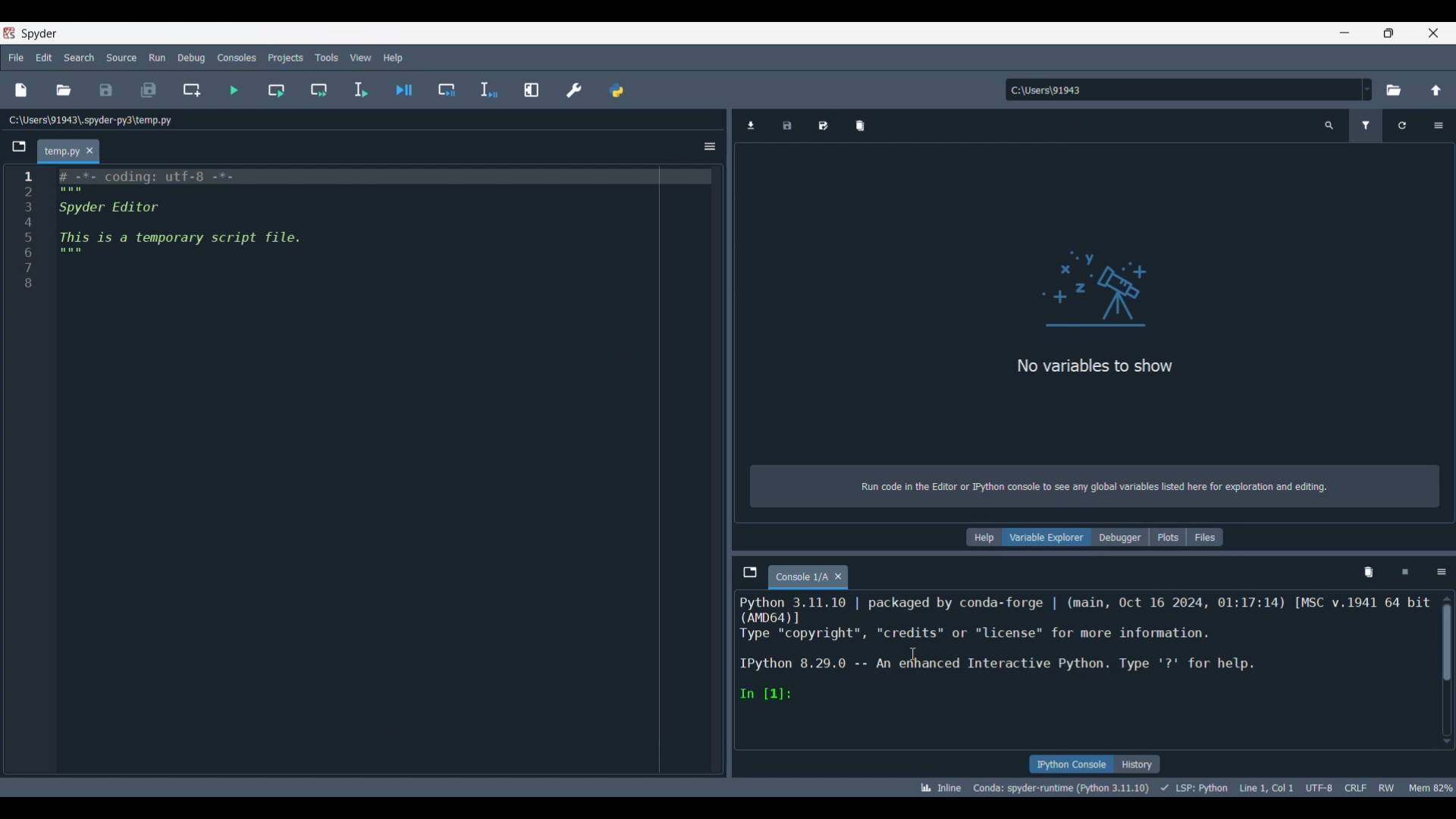  Describe the element at coordinates (327, 57) in the screenshot. I see `Tools menu` at that location.